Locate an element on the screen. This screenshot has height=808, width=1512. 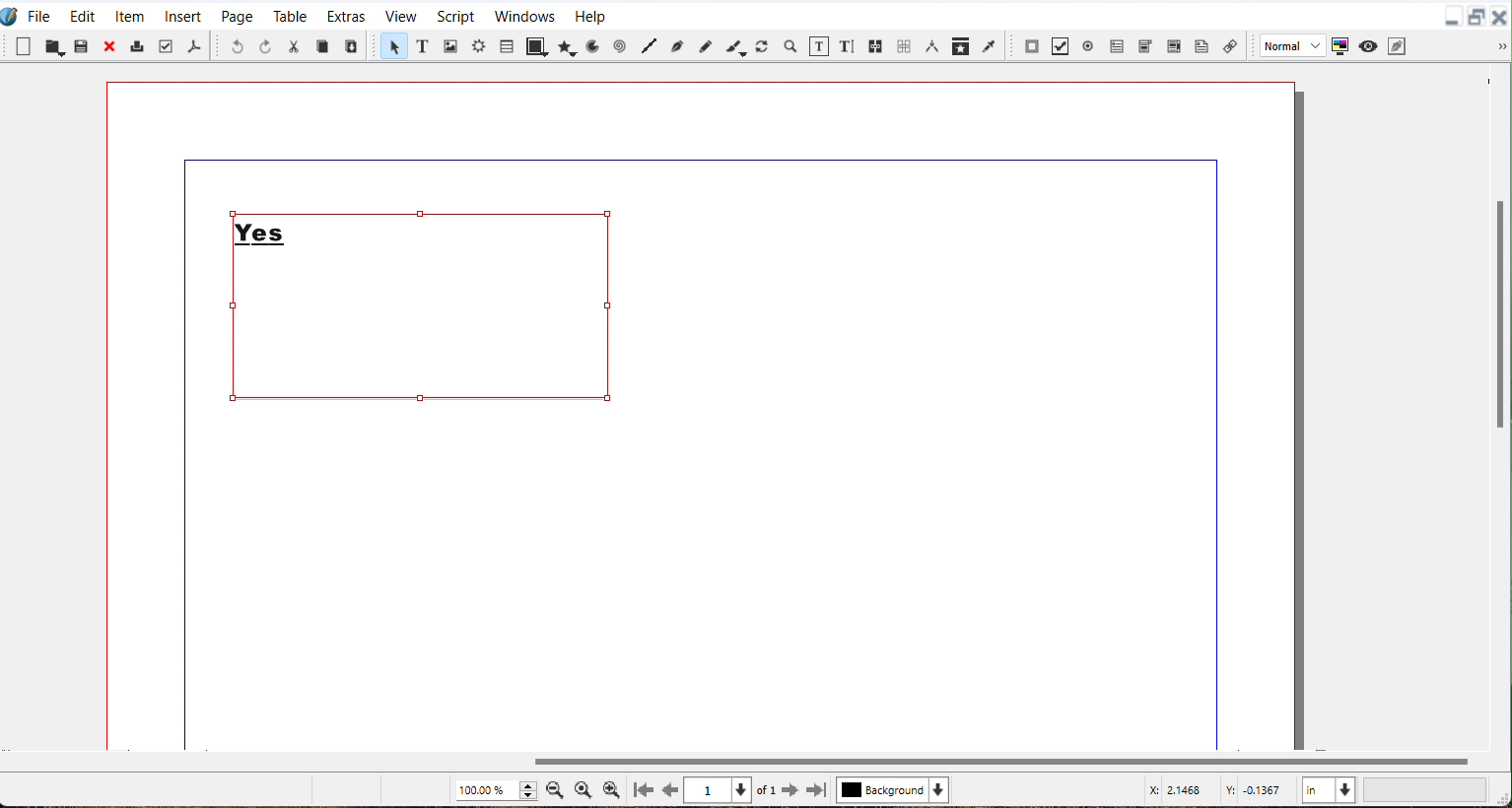
Zoom In is located at coordinates (611, 789).